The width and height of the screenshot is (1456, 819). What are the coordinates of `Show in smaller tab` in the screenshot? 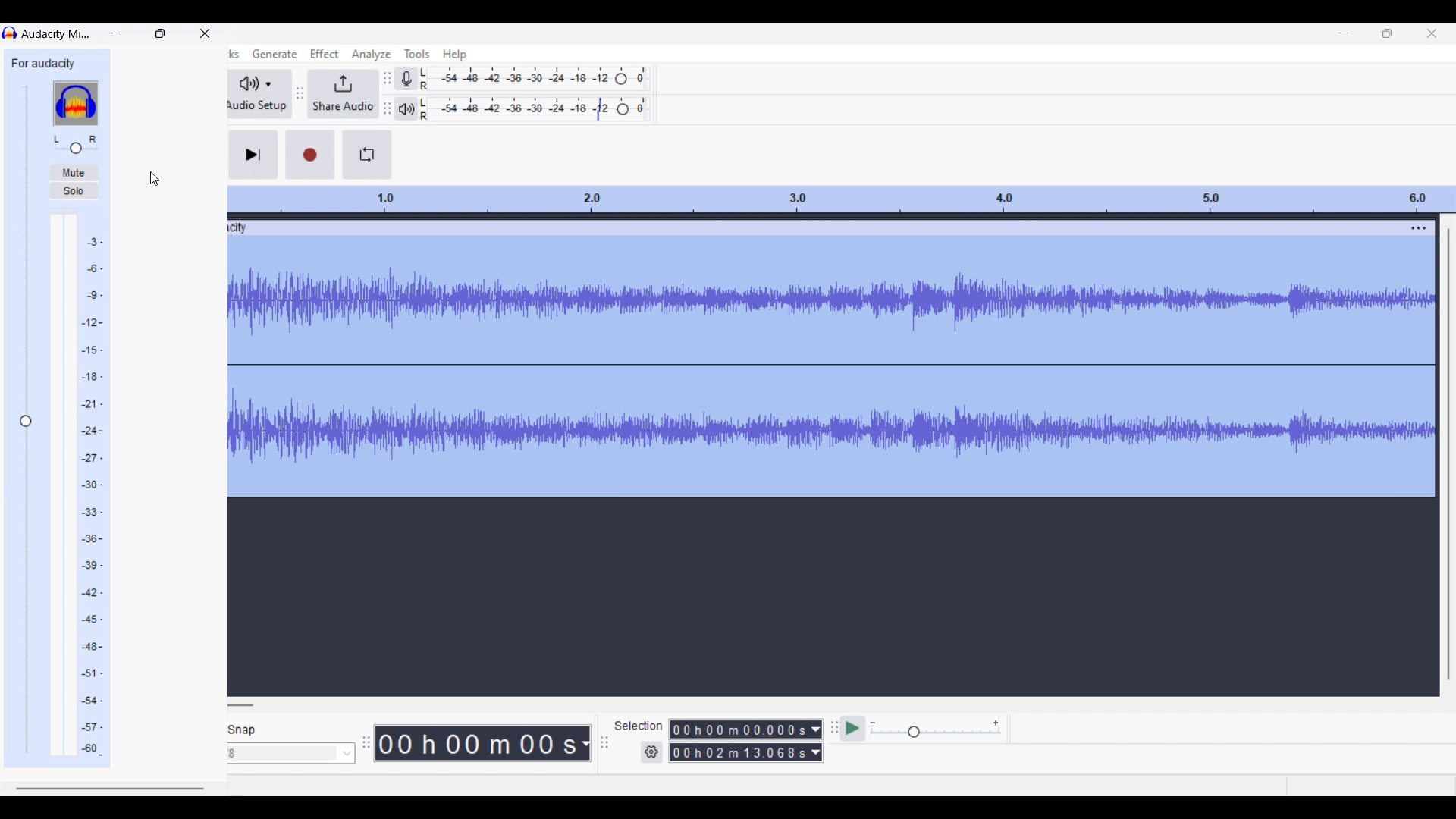 It's located at (1388, 33).